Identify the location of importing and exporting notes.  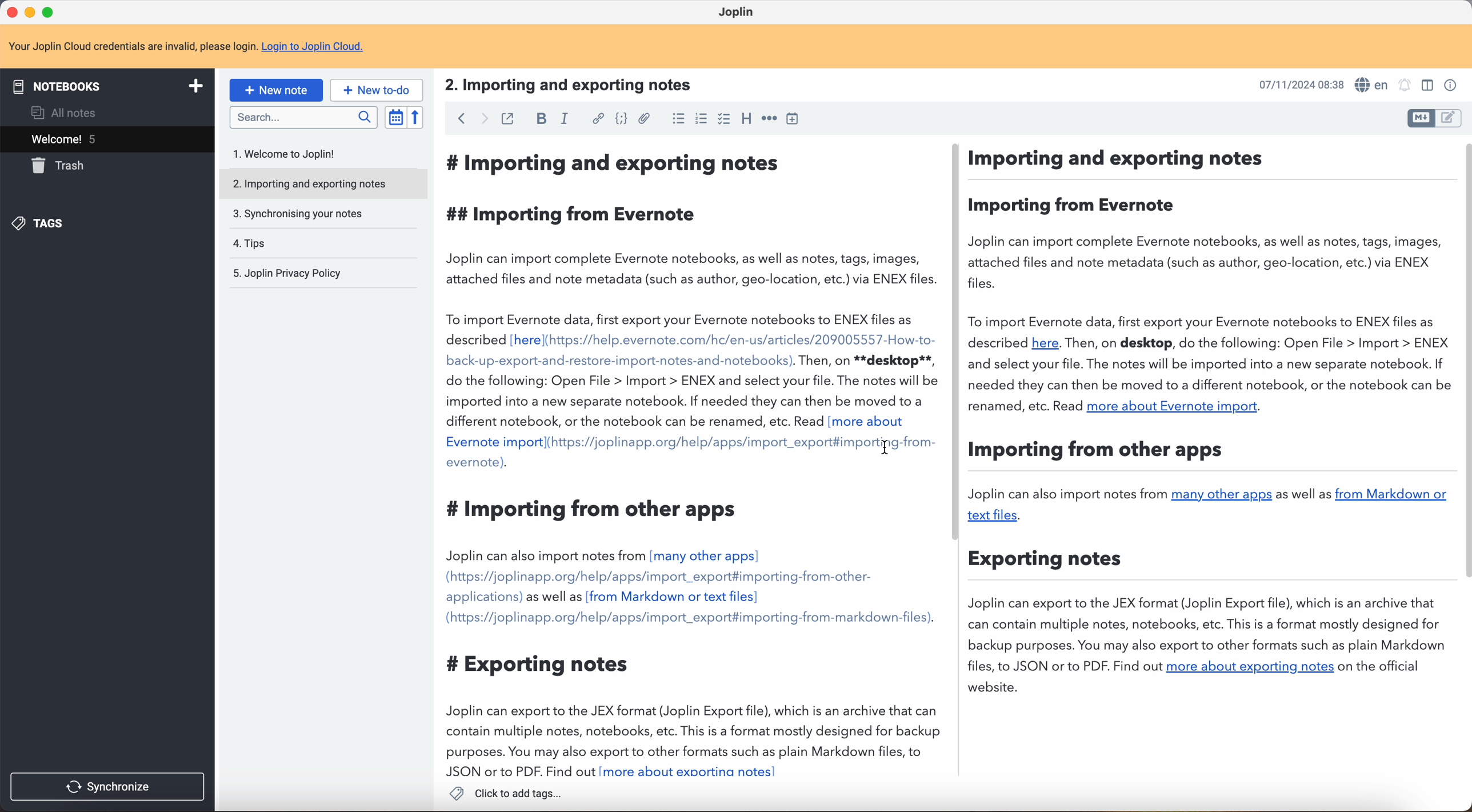
(322, 184).